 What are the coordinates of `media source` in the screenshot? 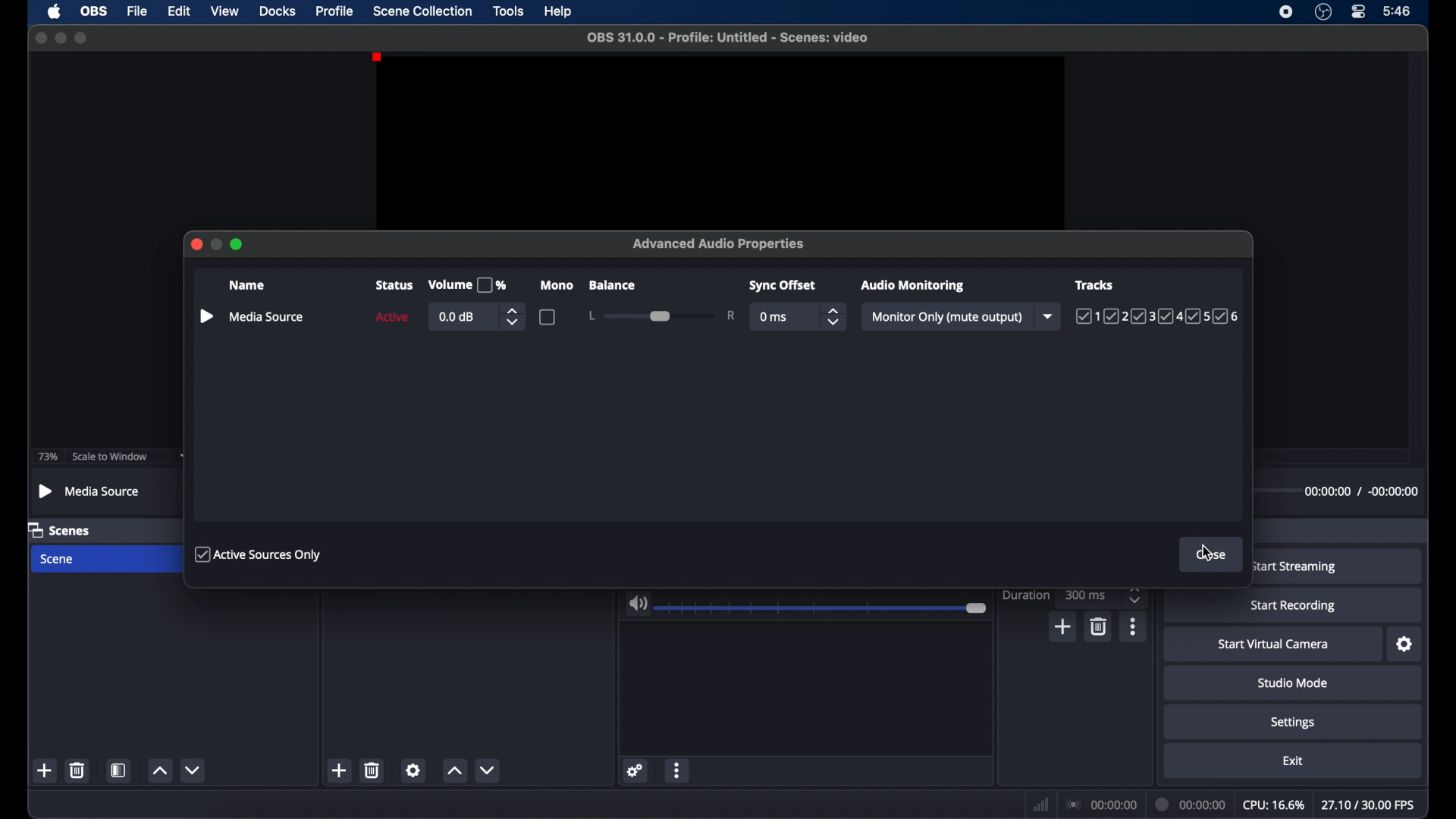 It's located at (90, 491).